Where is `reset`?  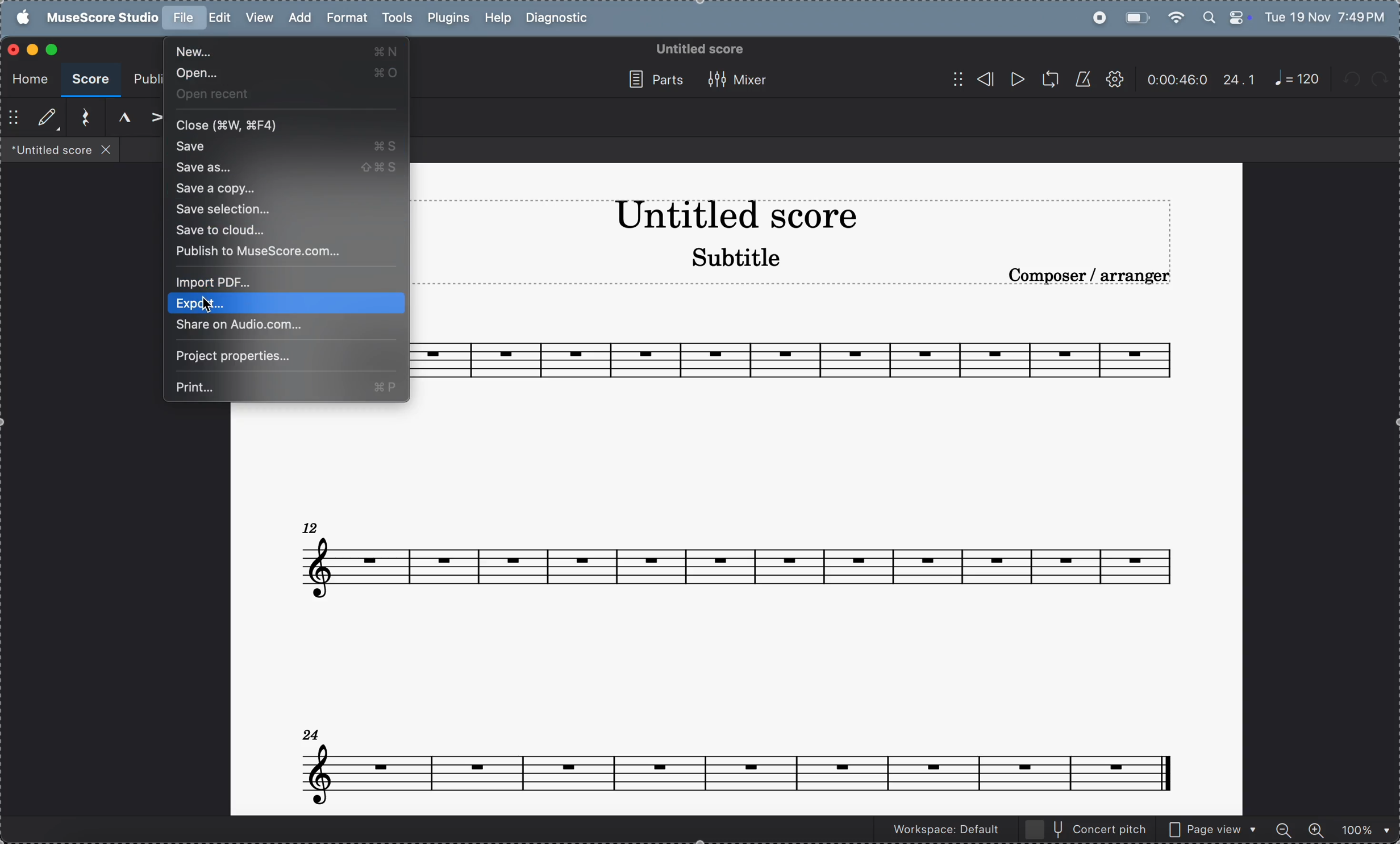
reset is located at coordinates (82, 118).